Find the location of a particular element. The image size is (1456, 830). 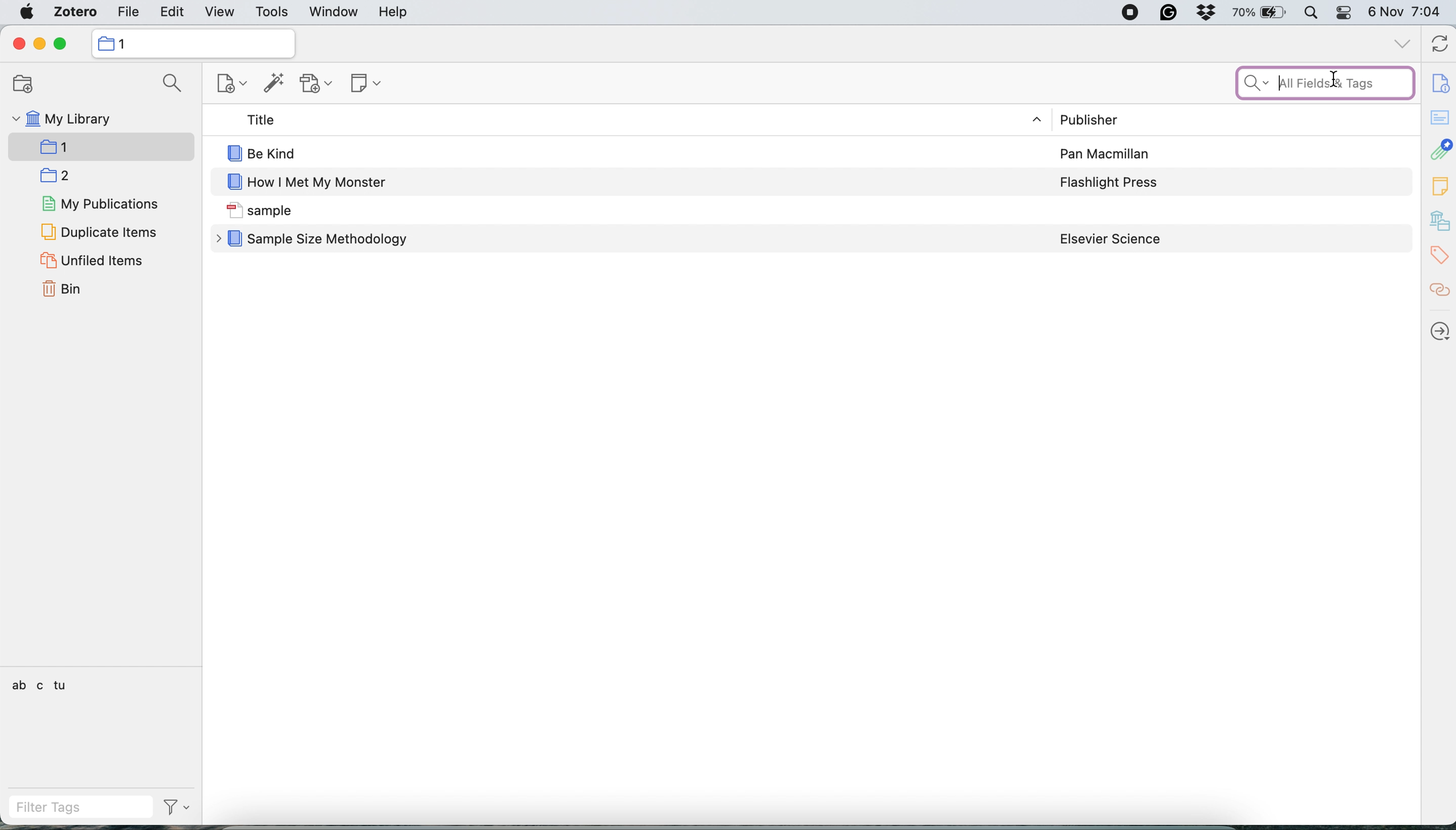

search is located at coordinates (172, 84).